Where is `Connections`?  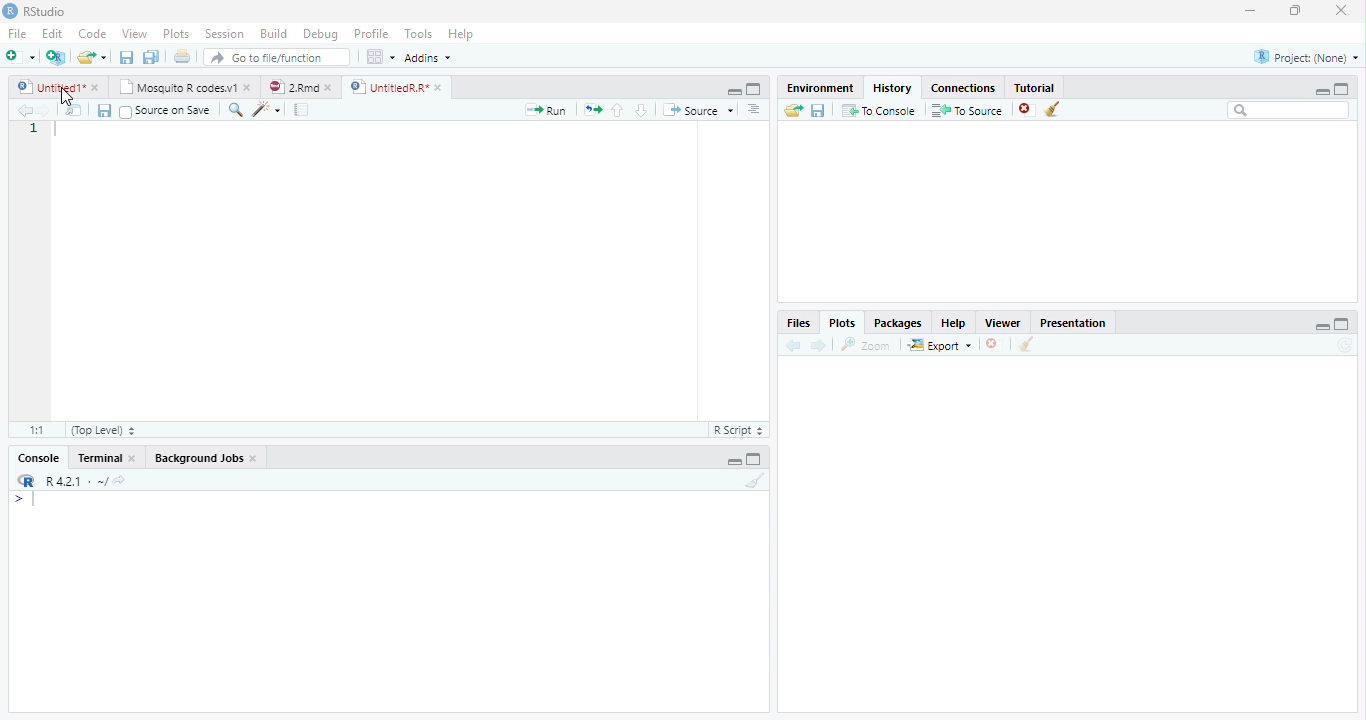 Connections is located at coordinates (961, 87).